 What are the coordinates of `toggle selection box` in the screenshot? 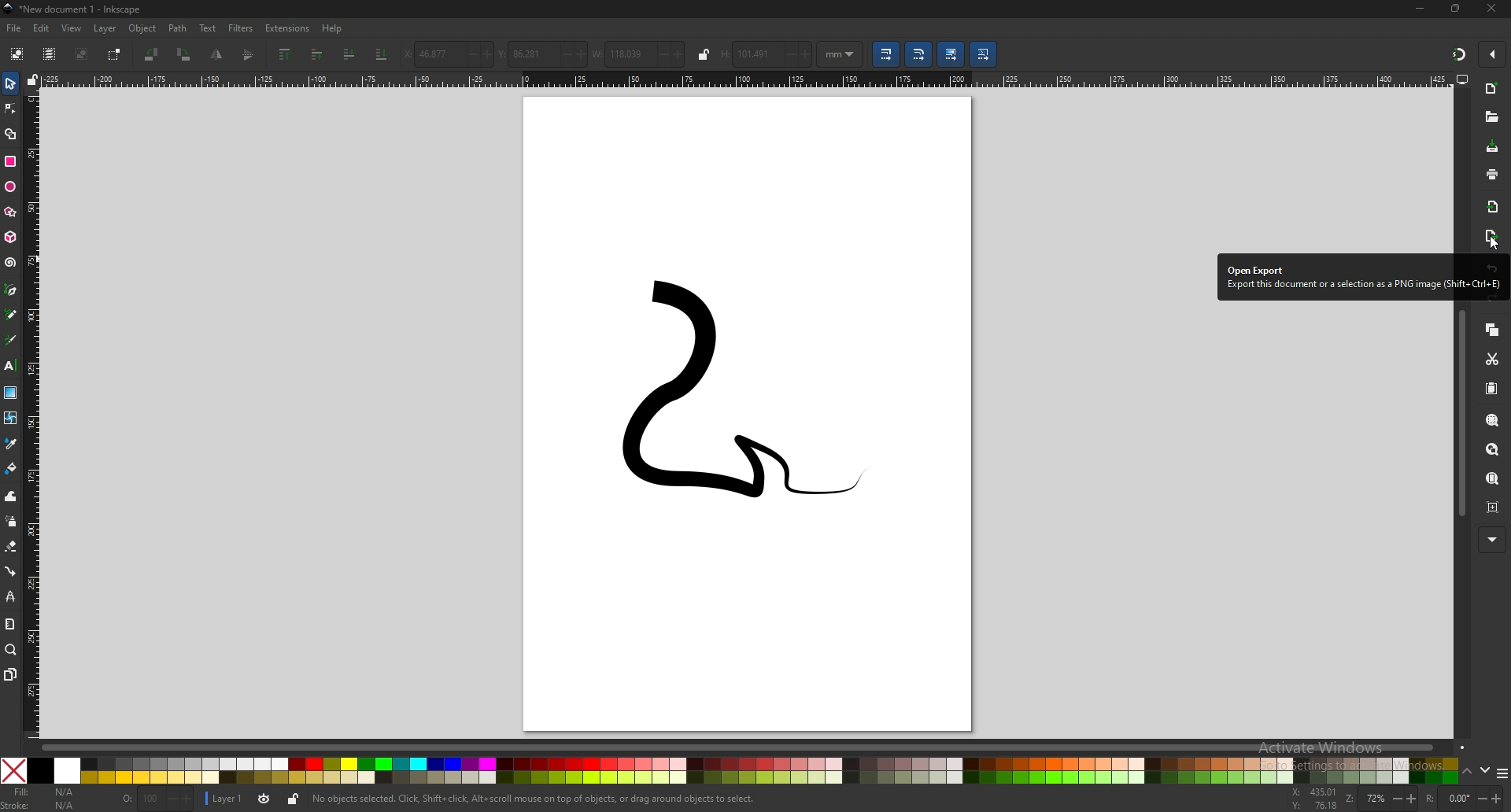 It's located at (116, 54).